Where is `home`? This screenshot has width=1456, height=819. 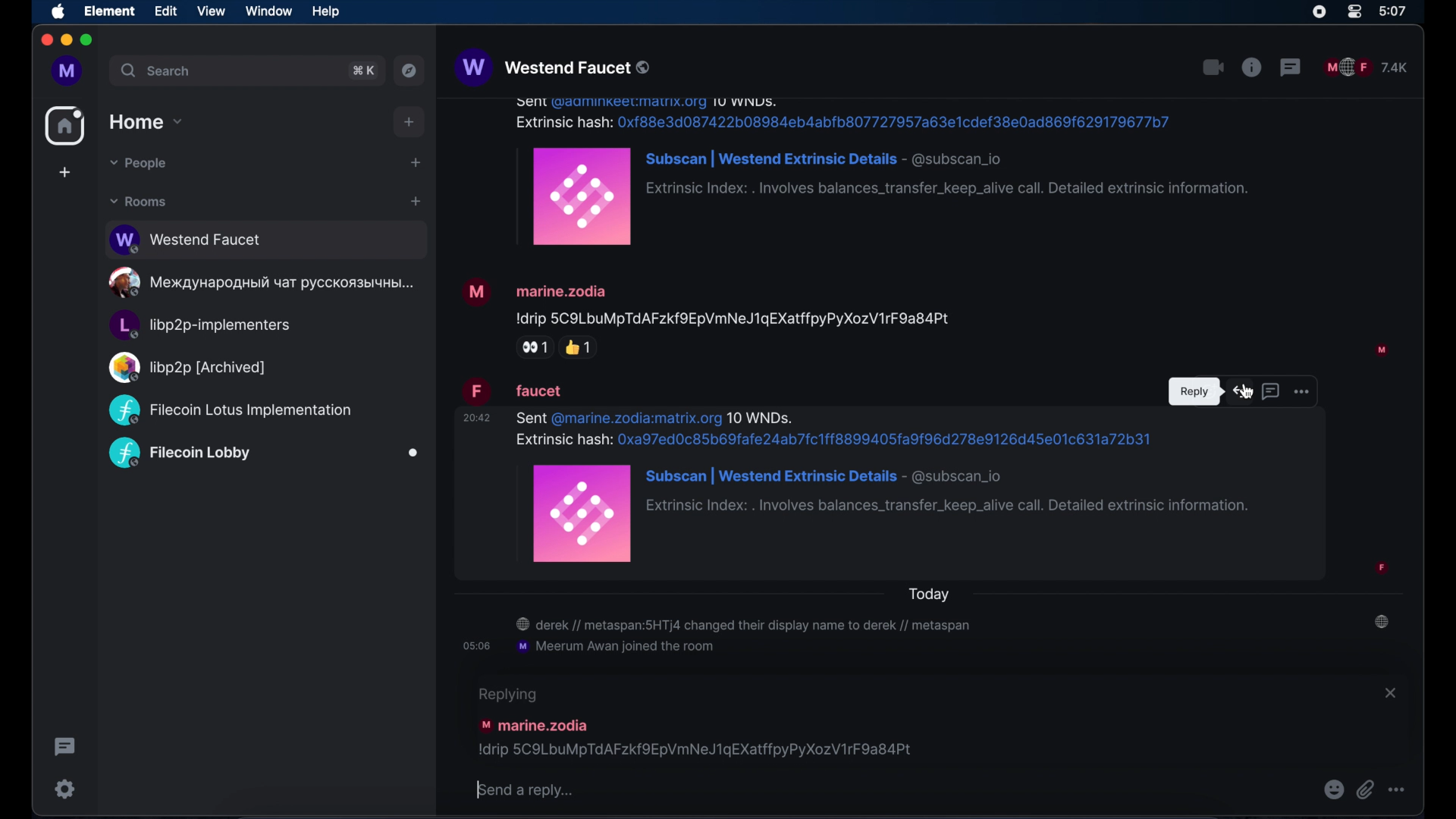 home is located at coordinates (64, 126).